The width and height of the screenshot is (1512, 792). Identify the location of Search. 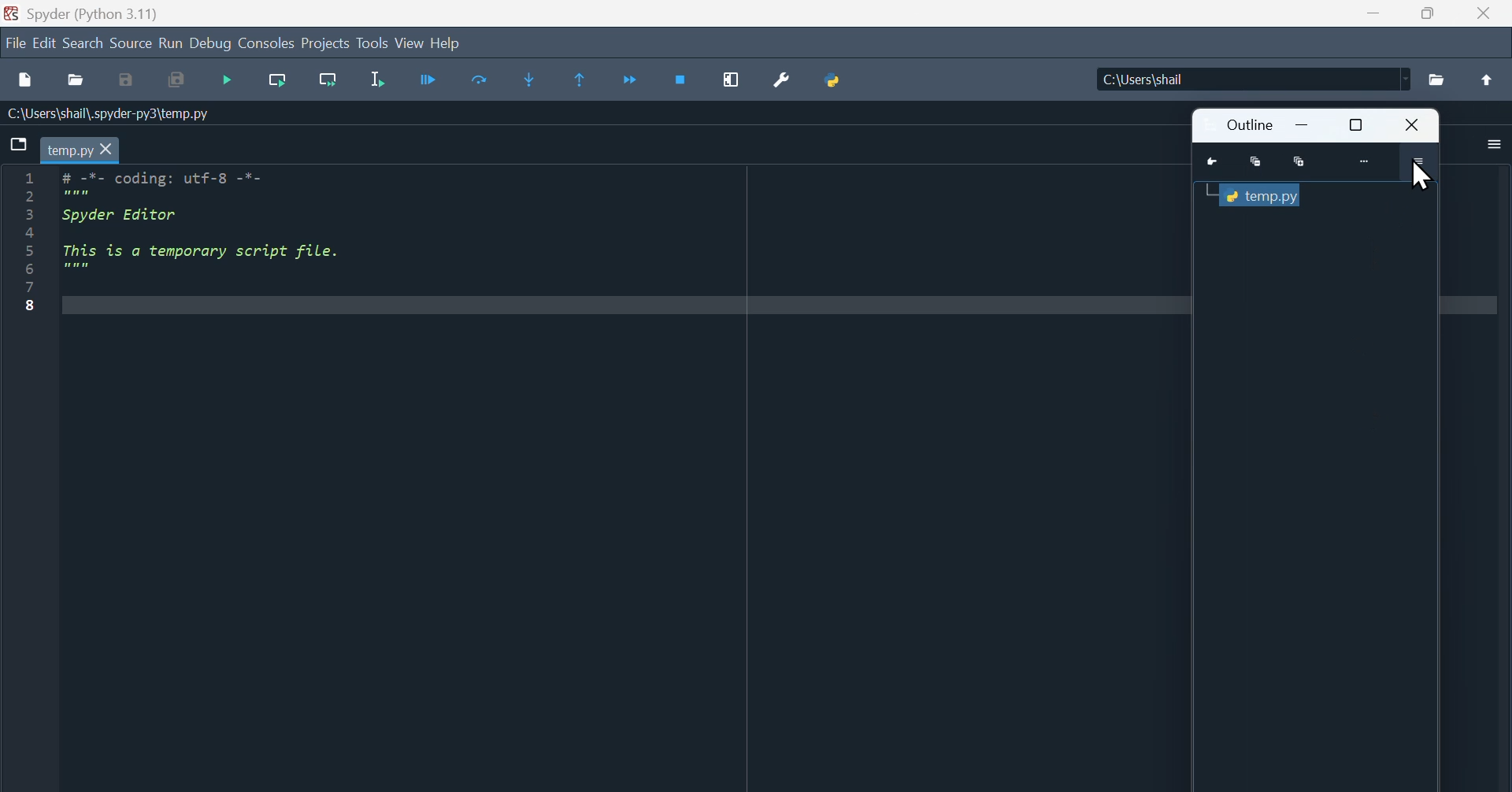
(84, 41).